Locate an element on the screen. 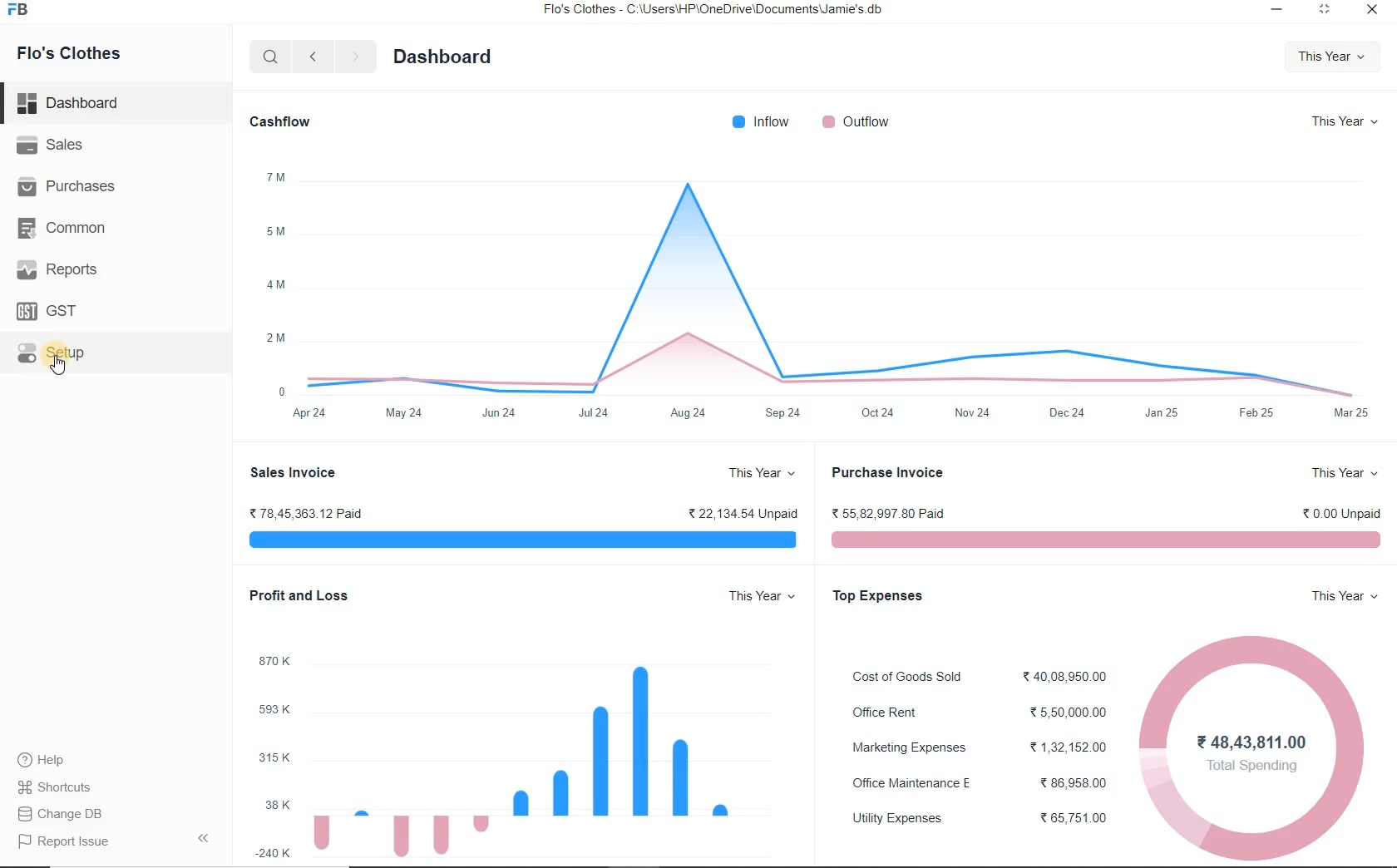  Sales is located at coordinates (50, 144).